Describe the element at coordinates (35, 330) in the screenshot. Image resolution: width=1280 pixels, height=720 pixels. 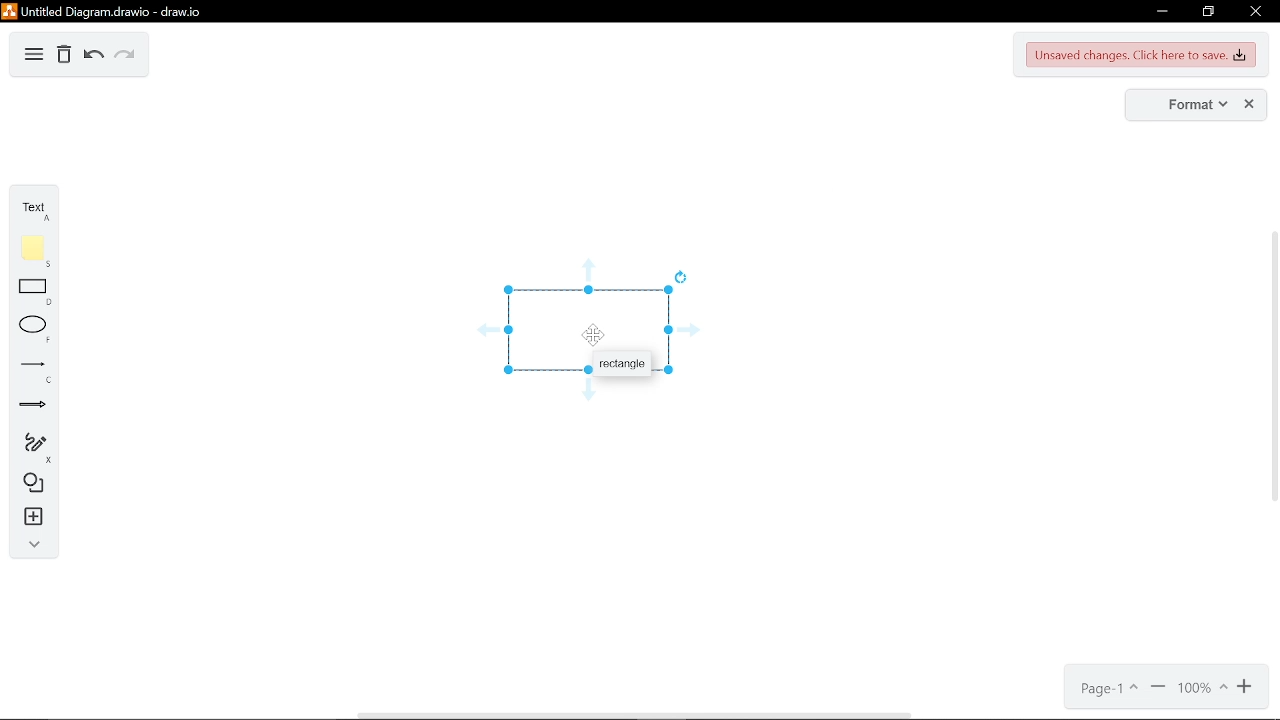
I see `ellipse` at that location.